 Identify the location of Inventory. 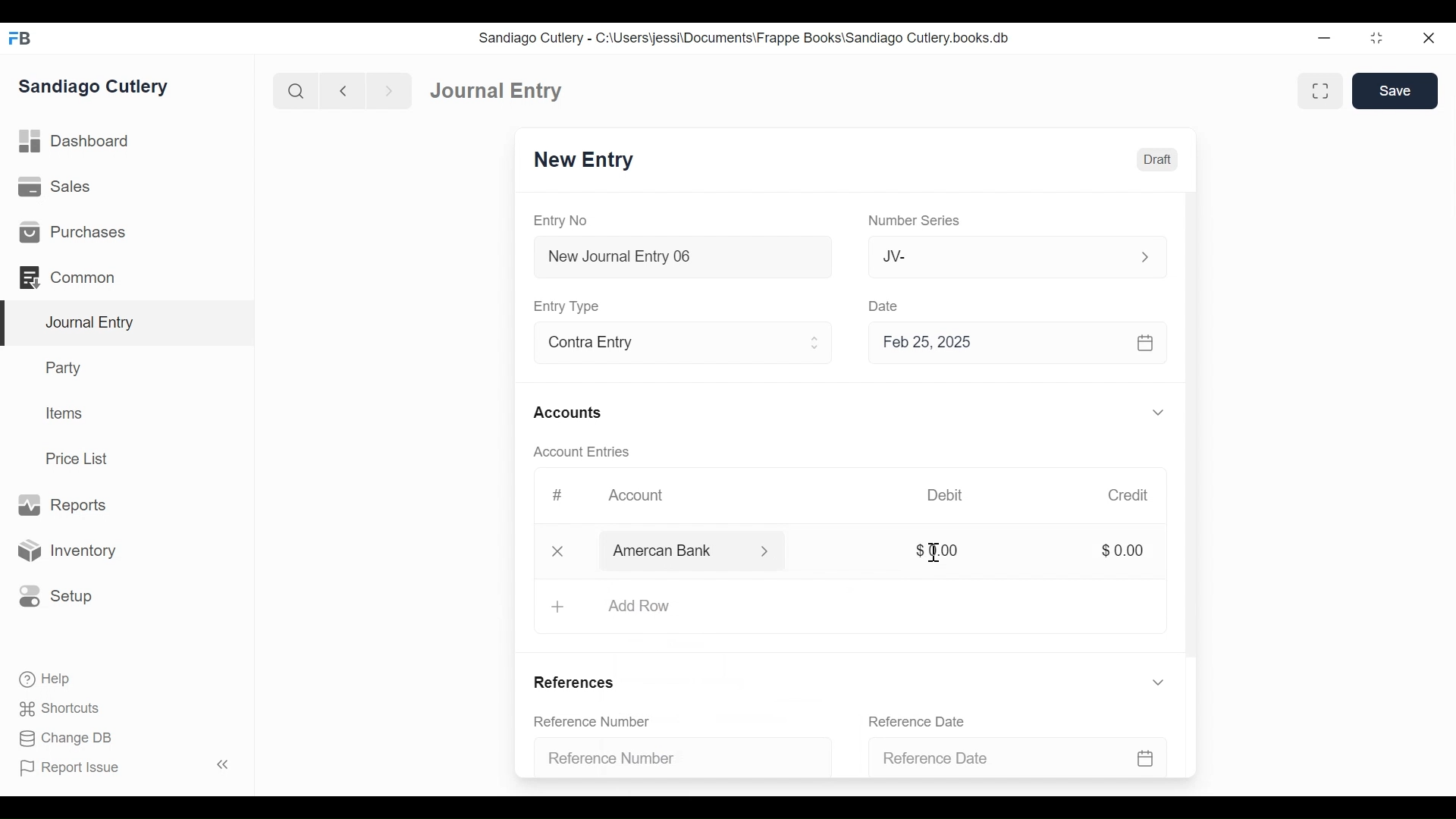
(64, 551).